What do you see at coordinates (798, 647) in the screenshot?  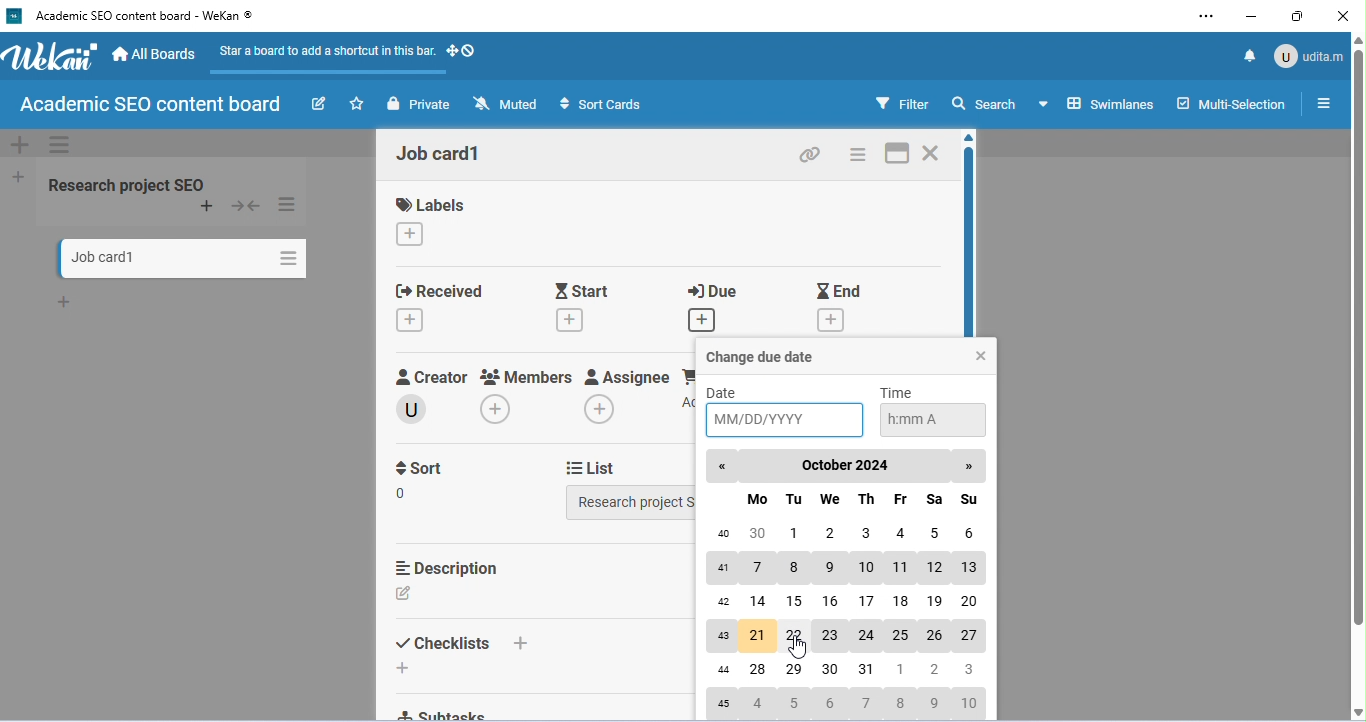 I see `cursor movement` at bounding box center [798, 647].